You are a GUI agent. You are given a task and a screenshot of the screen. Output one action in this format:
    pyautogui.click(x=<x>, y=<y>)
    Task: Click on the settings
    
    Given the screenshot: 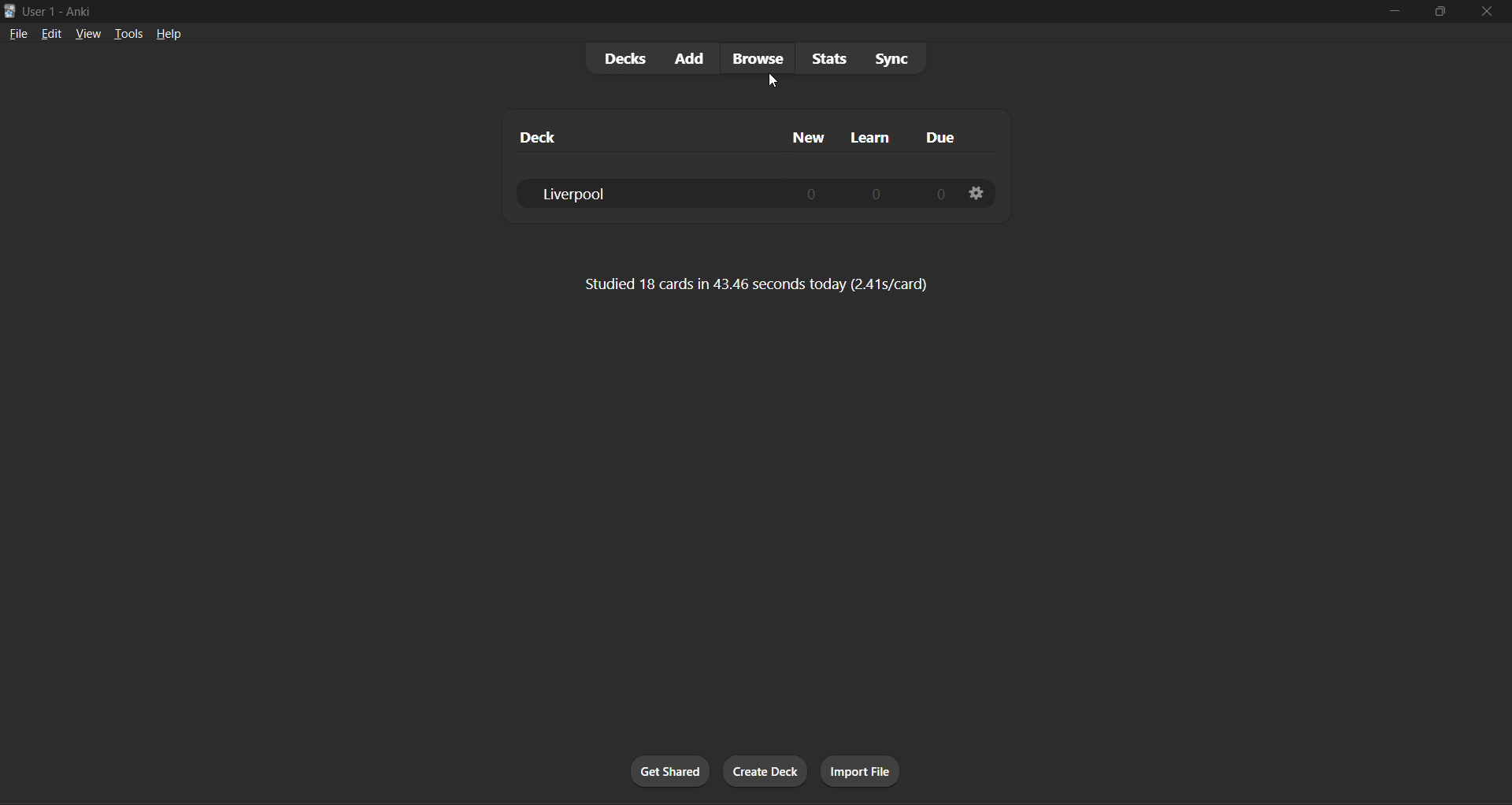 What is the action you would take?
    pyautogui.click(x=975, y=191)
    